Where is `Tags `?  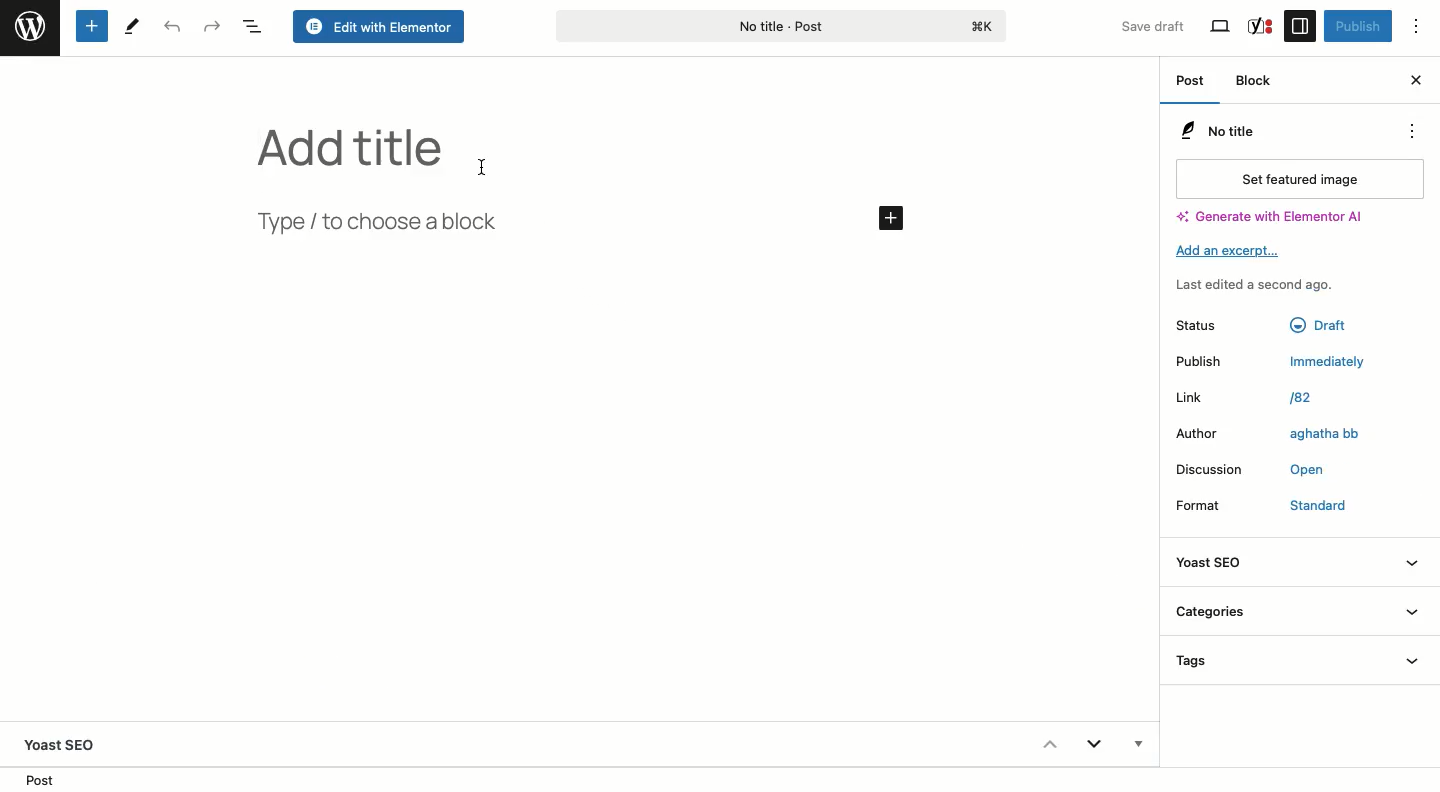 Tags  is located at coordinates (1301, 660).